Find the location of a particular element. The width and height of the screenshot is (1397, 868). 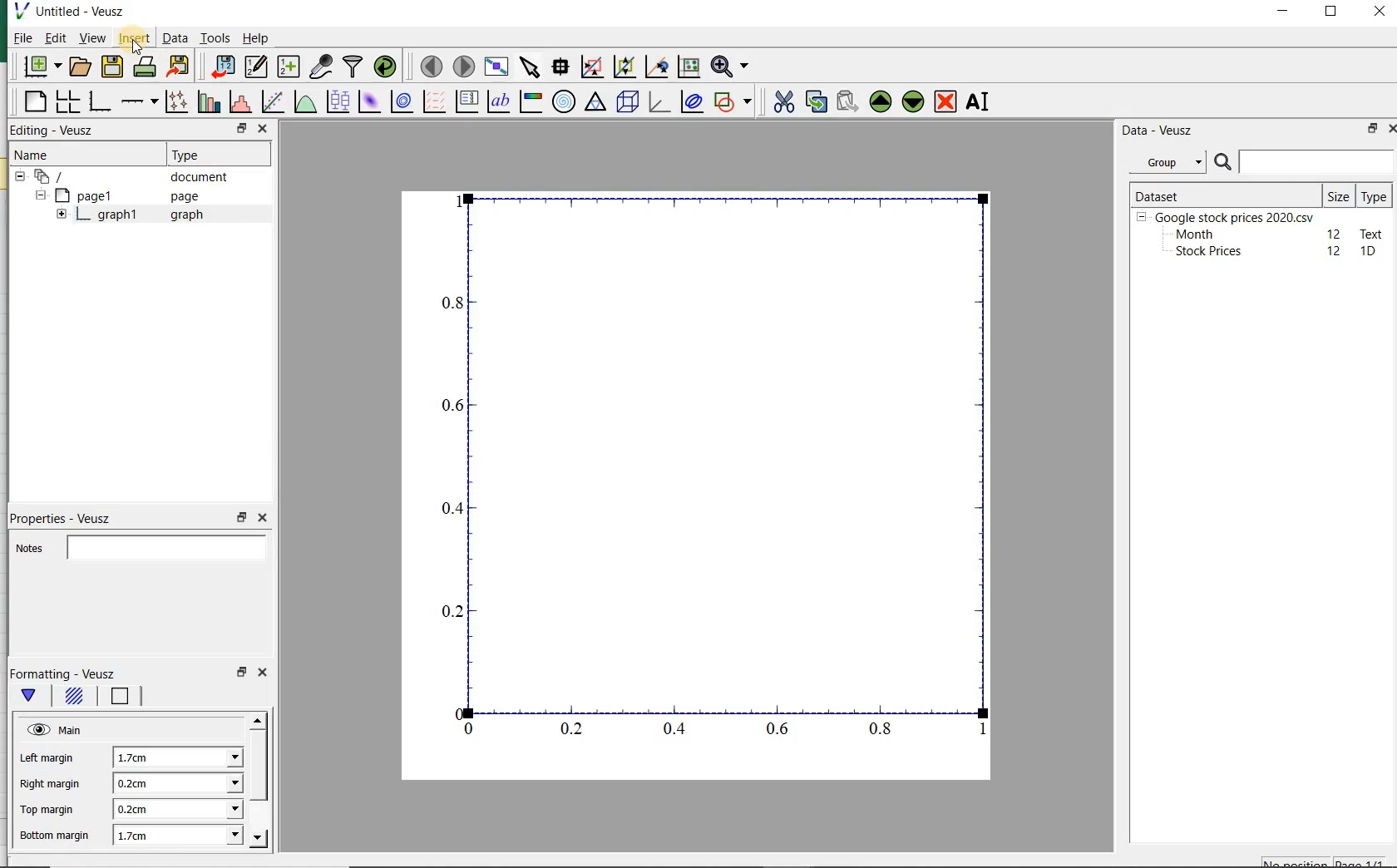

restore is located at coordinates (242, 129).